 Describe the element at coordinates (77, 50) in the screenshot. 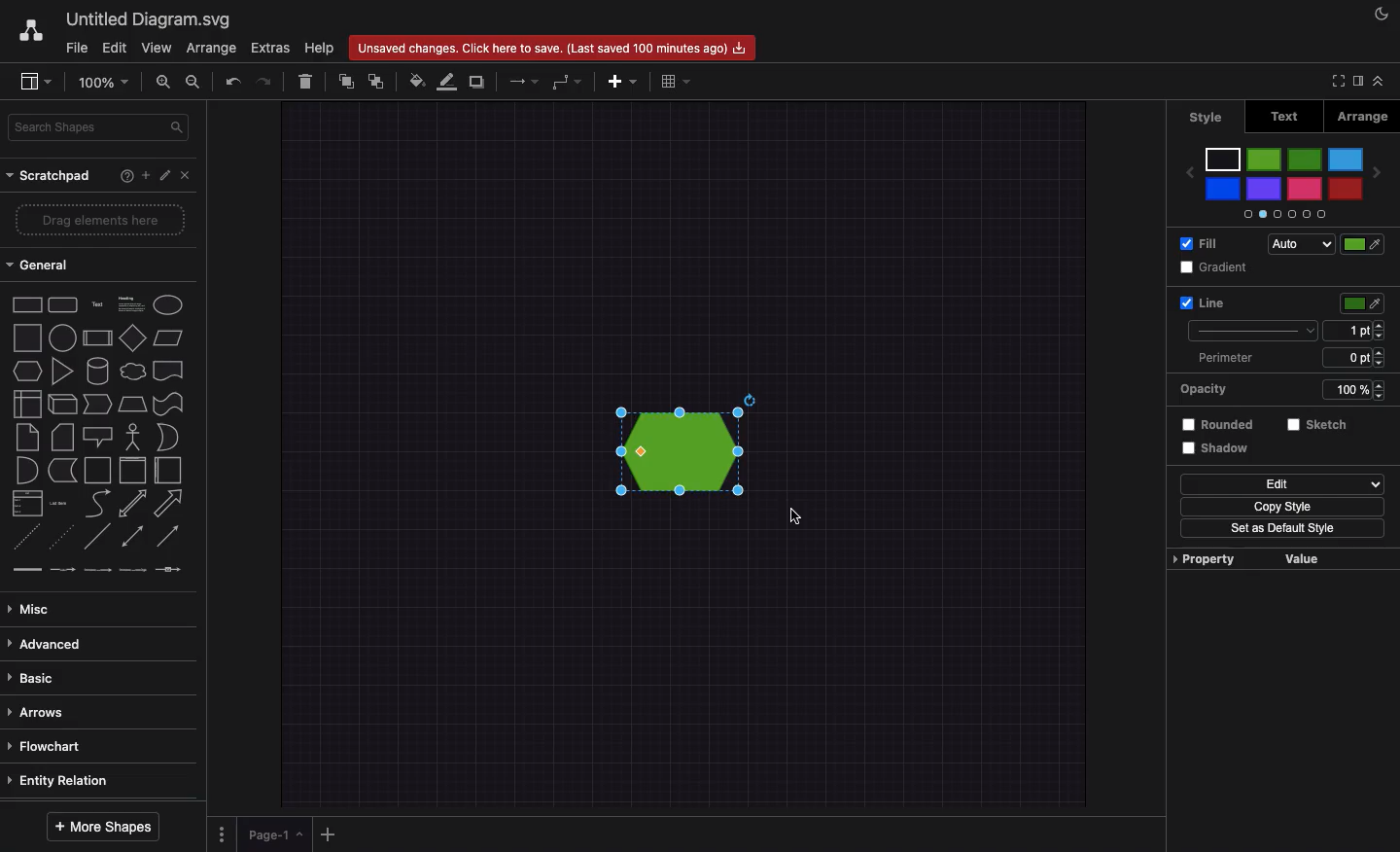

I see `File` at that location.